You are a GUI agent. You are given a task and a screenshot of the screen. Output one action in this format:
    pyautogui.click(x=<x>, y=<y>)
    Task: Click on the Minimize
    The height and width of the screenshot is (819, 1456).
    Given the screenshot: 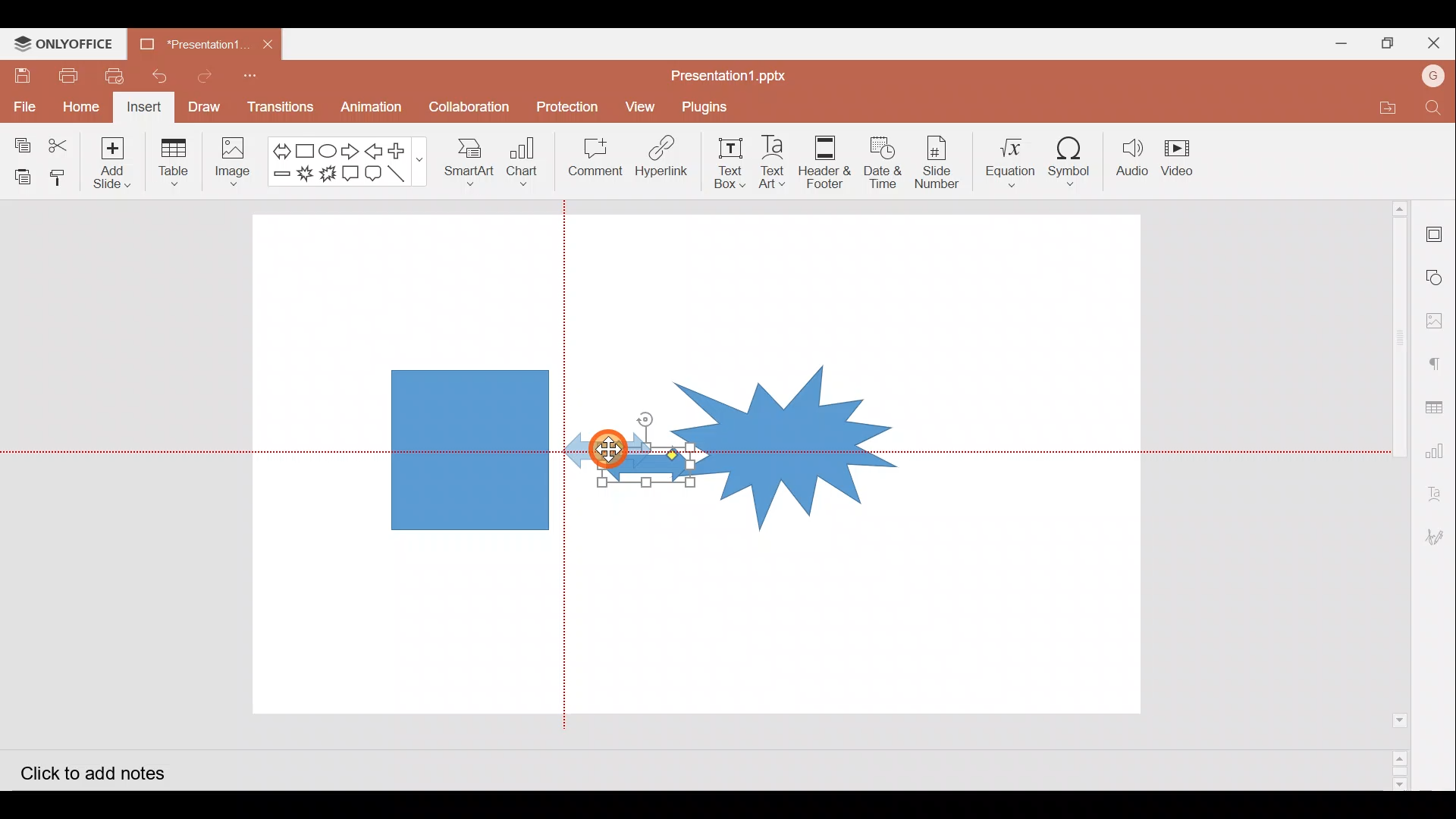 What is the action you would take?
    pyautogui.click(x=1335, y=42)
    